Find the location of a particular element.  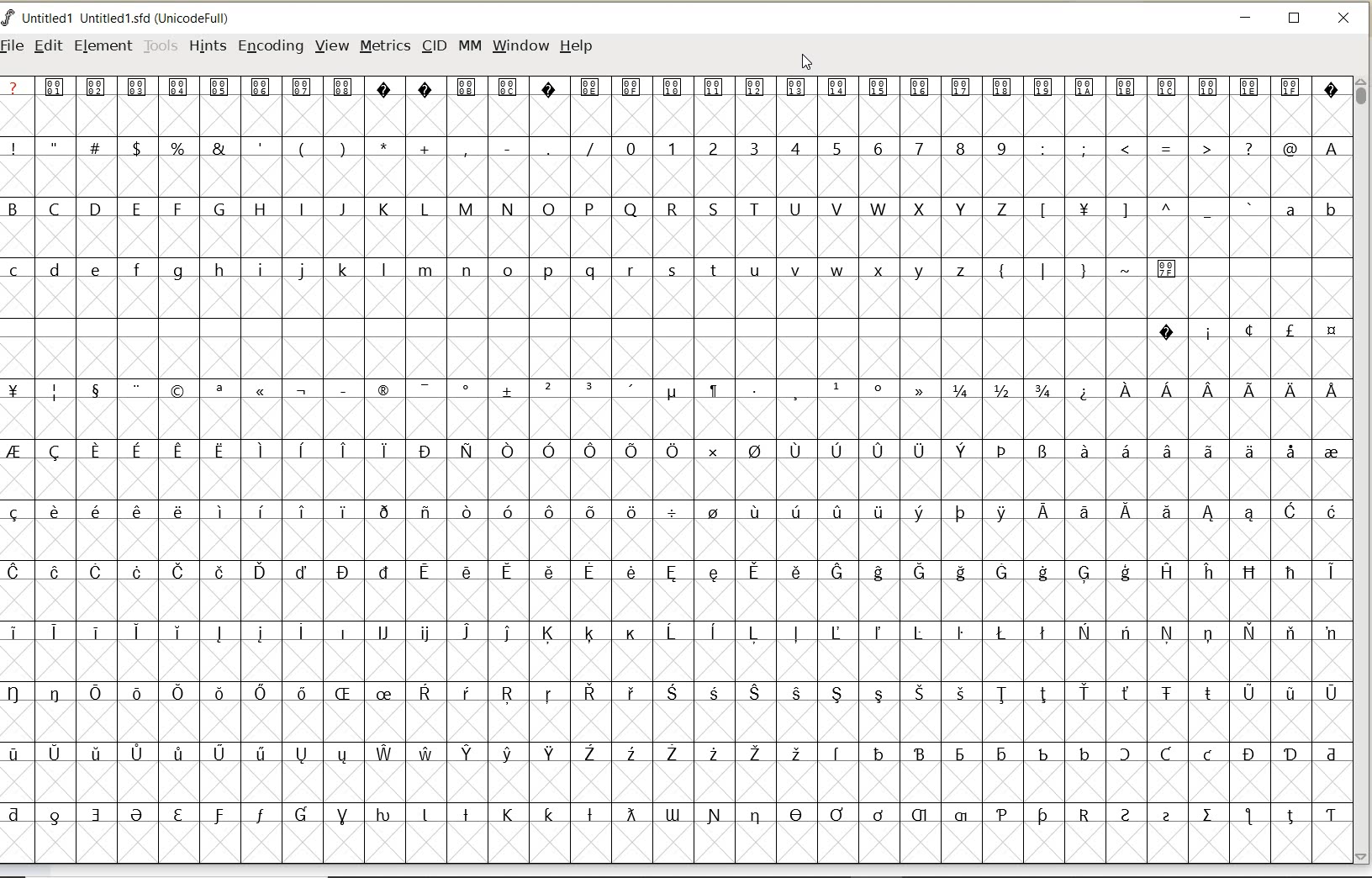

special characters is located at coordinates (1193, 149).